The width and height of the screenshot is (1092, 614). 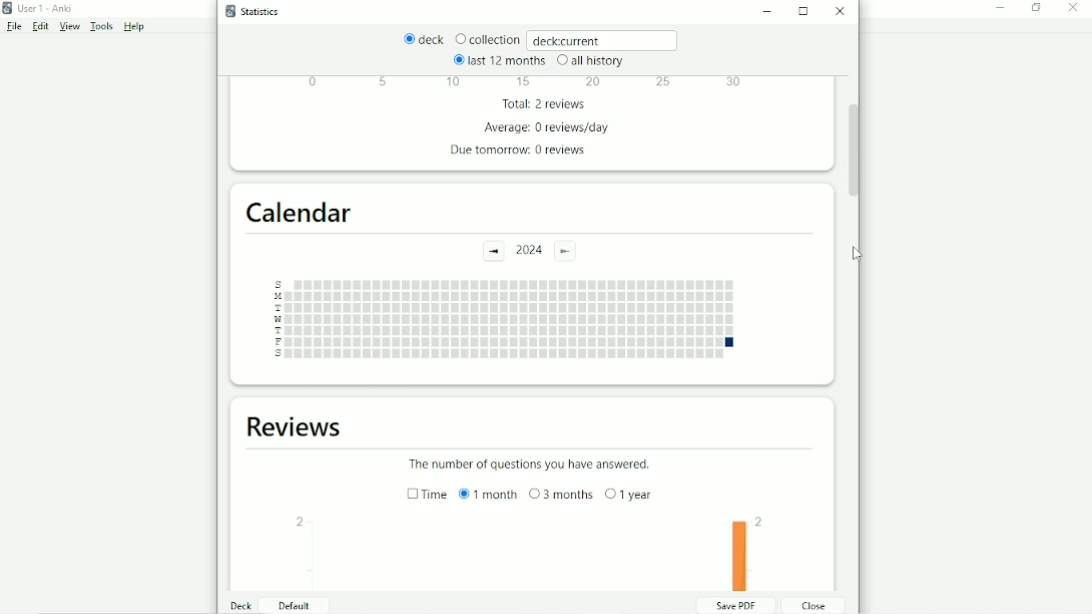 What do you see at coordinates (1076, 8) in the screenshot?
I see `Close` at bounding box center [1076, 8].